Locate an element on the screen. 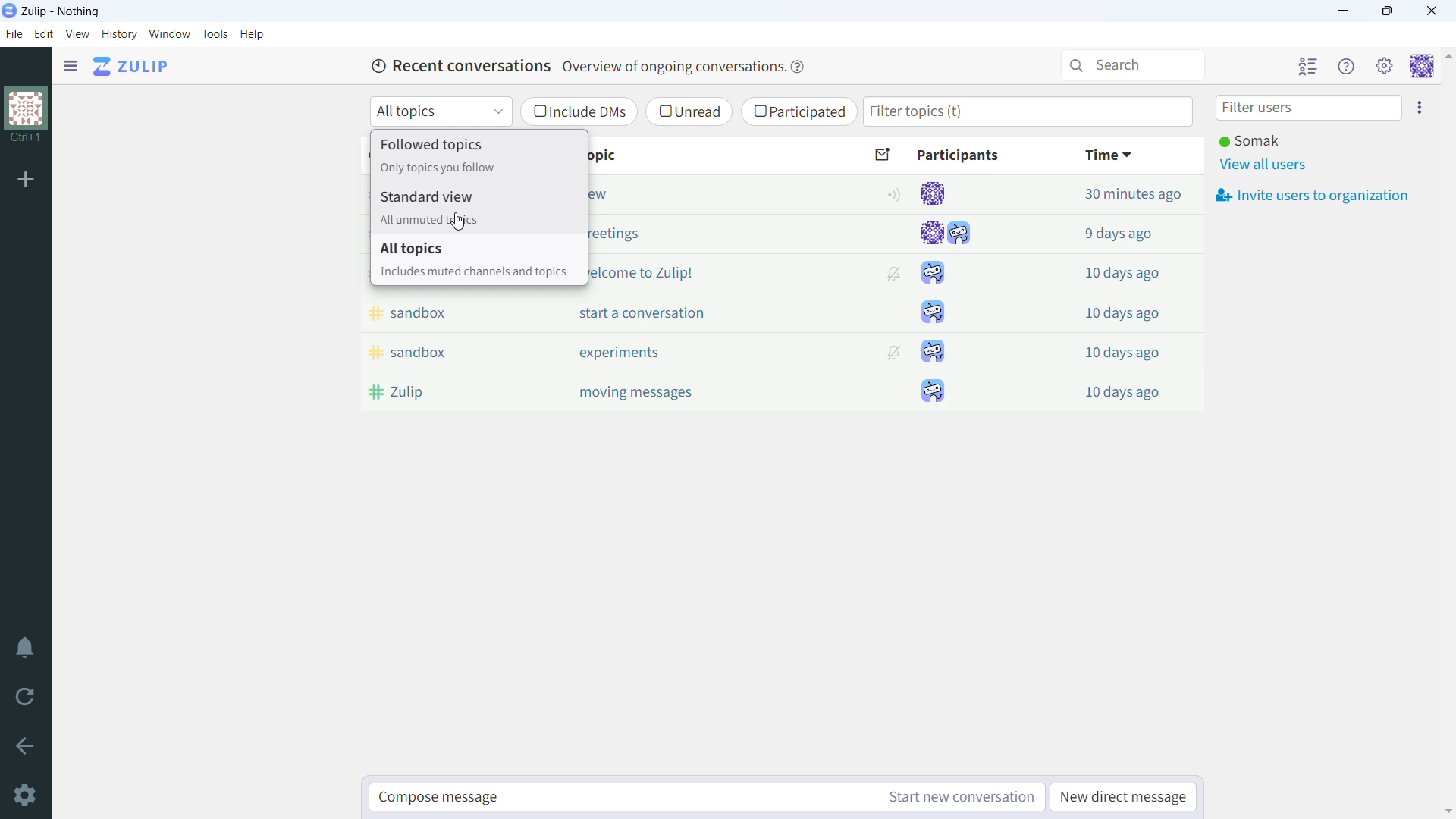 This screenshot has height=819, width=1456. select topic is located at coordinates (441, 111).